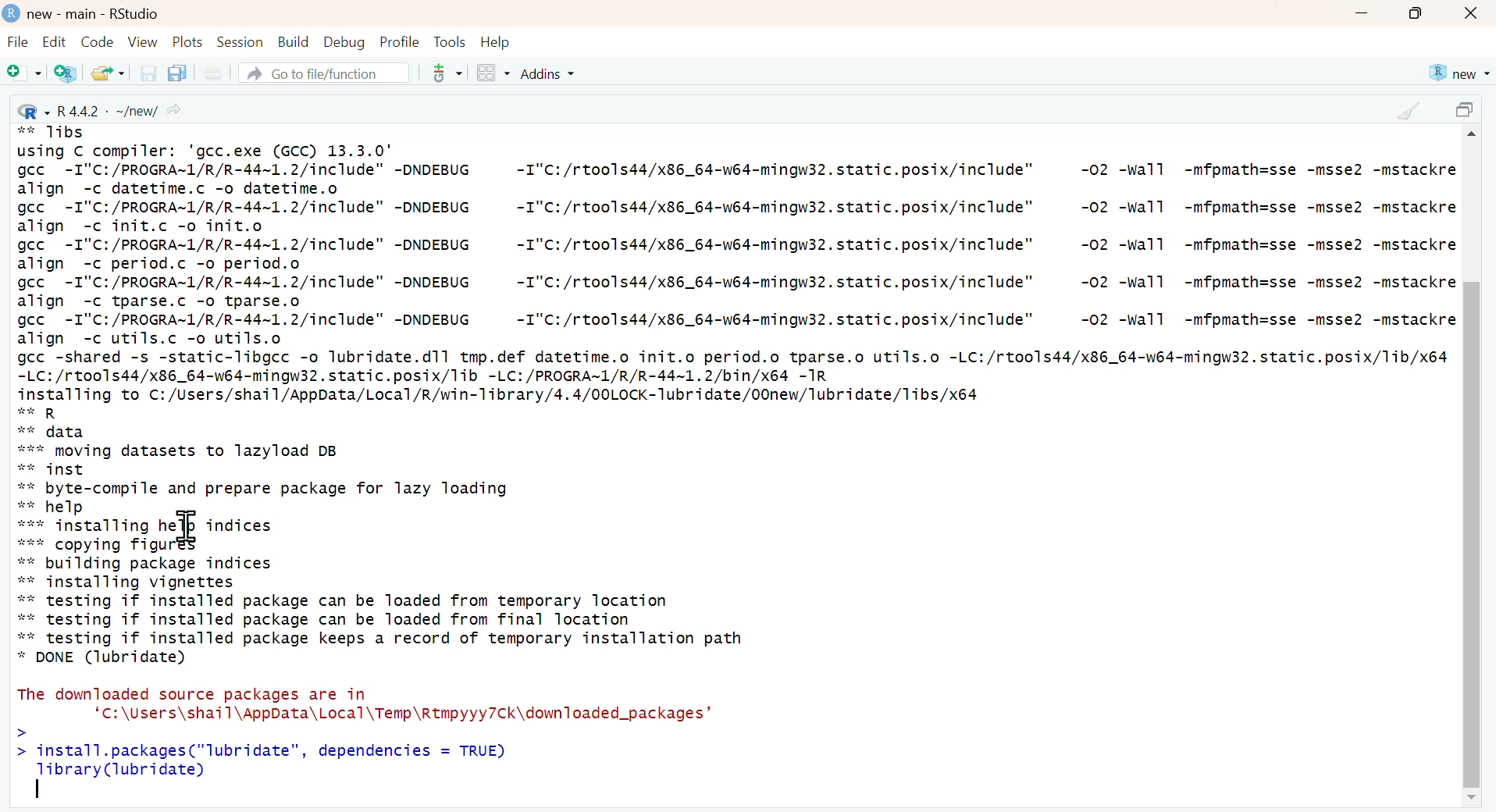 The height and width of the screenshot is (812, 1496). What do you see at coordinates (1416, 13) in the screenshot?
I see `maximize` at bounding box center [1416, 13].